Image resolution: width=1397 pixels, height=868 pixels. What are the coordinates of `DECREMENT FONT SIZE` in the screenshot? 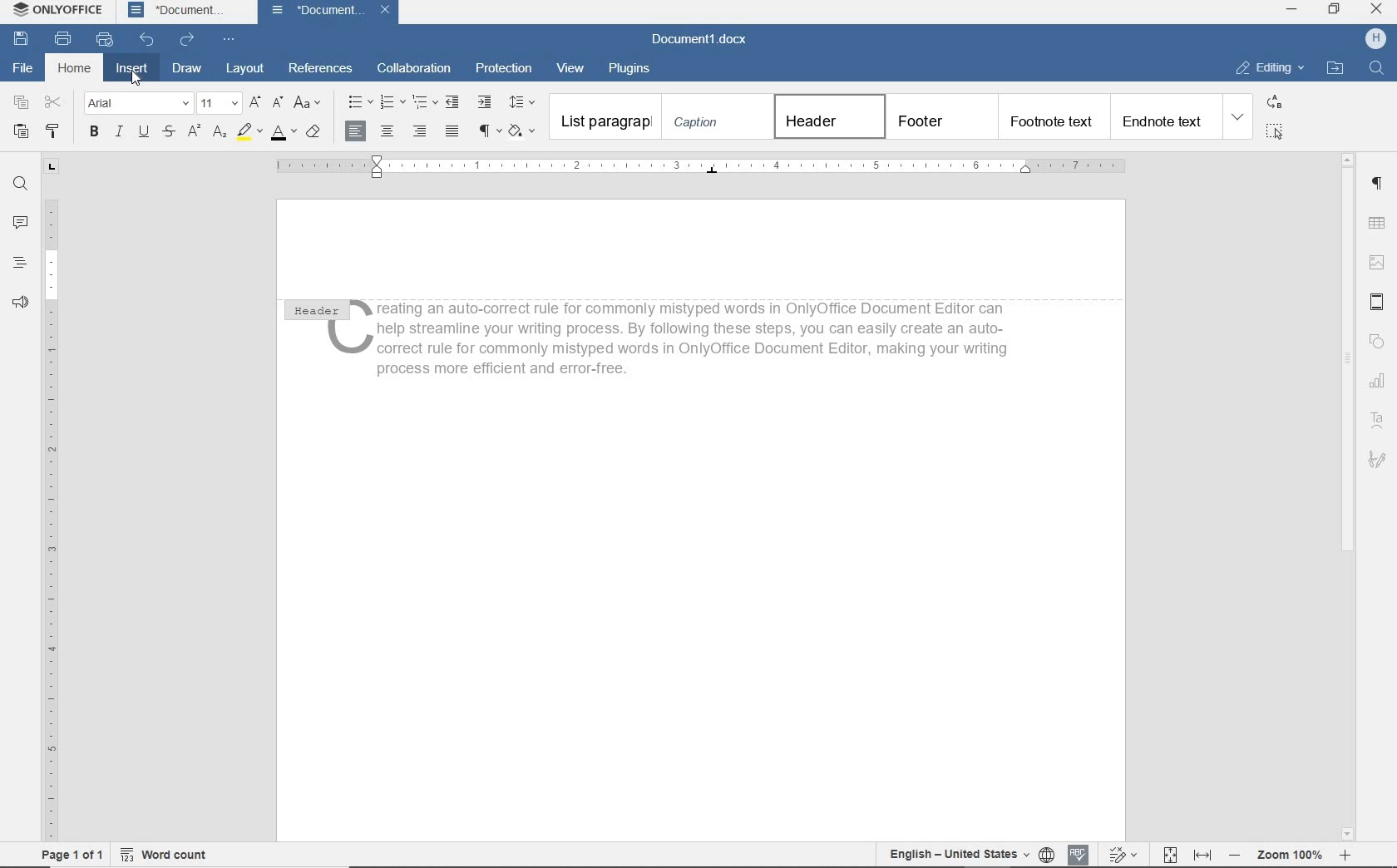 It's located at (278, 103).